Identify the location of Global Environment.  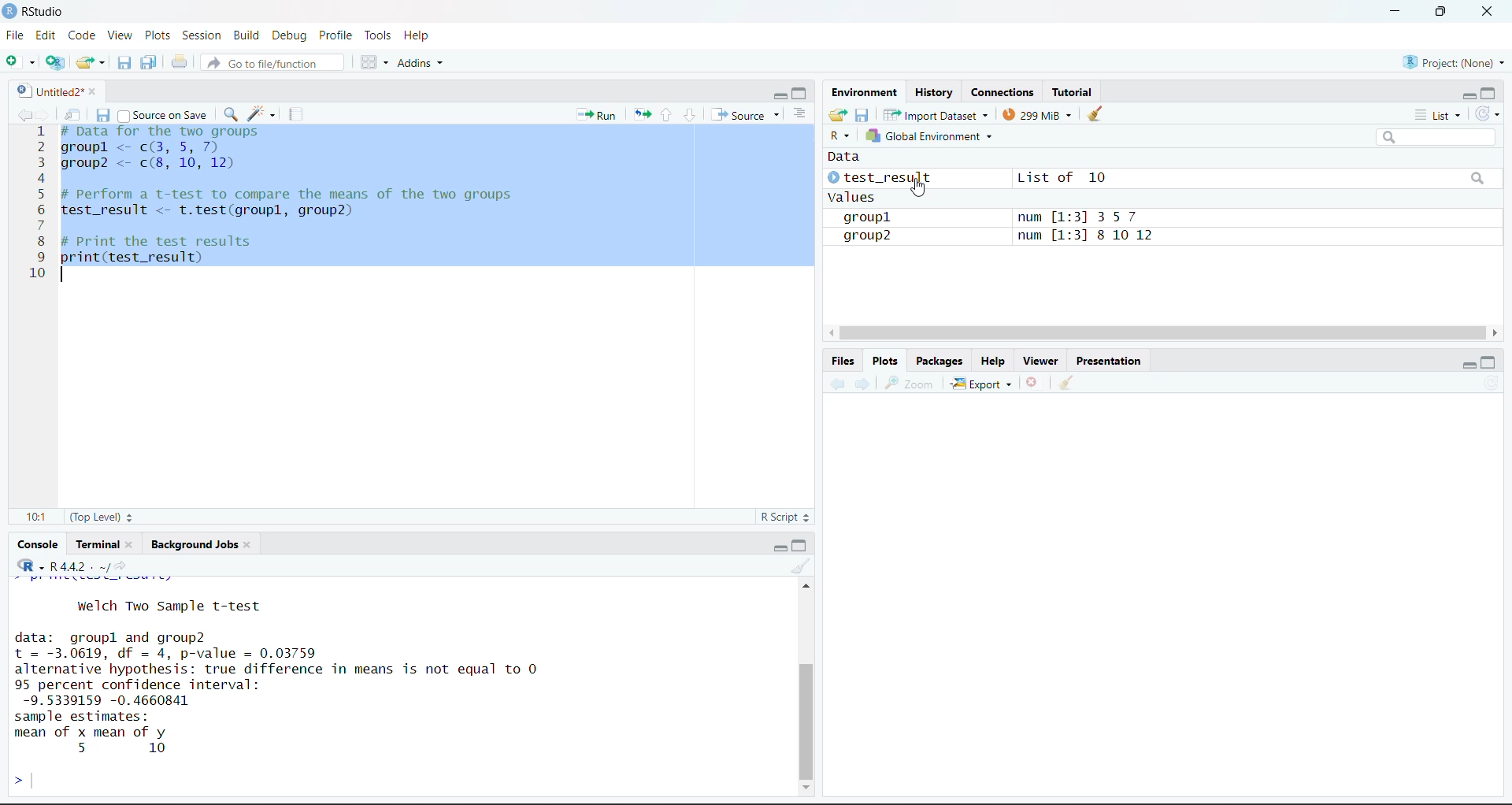
(928, 135).